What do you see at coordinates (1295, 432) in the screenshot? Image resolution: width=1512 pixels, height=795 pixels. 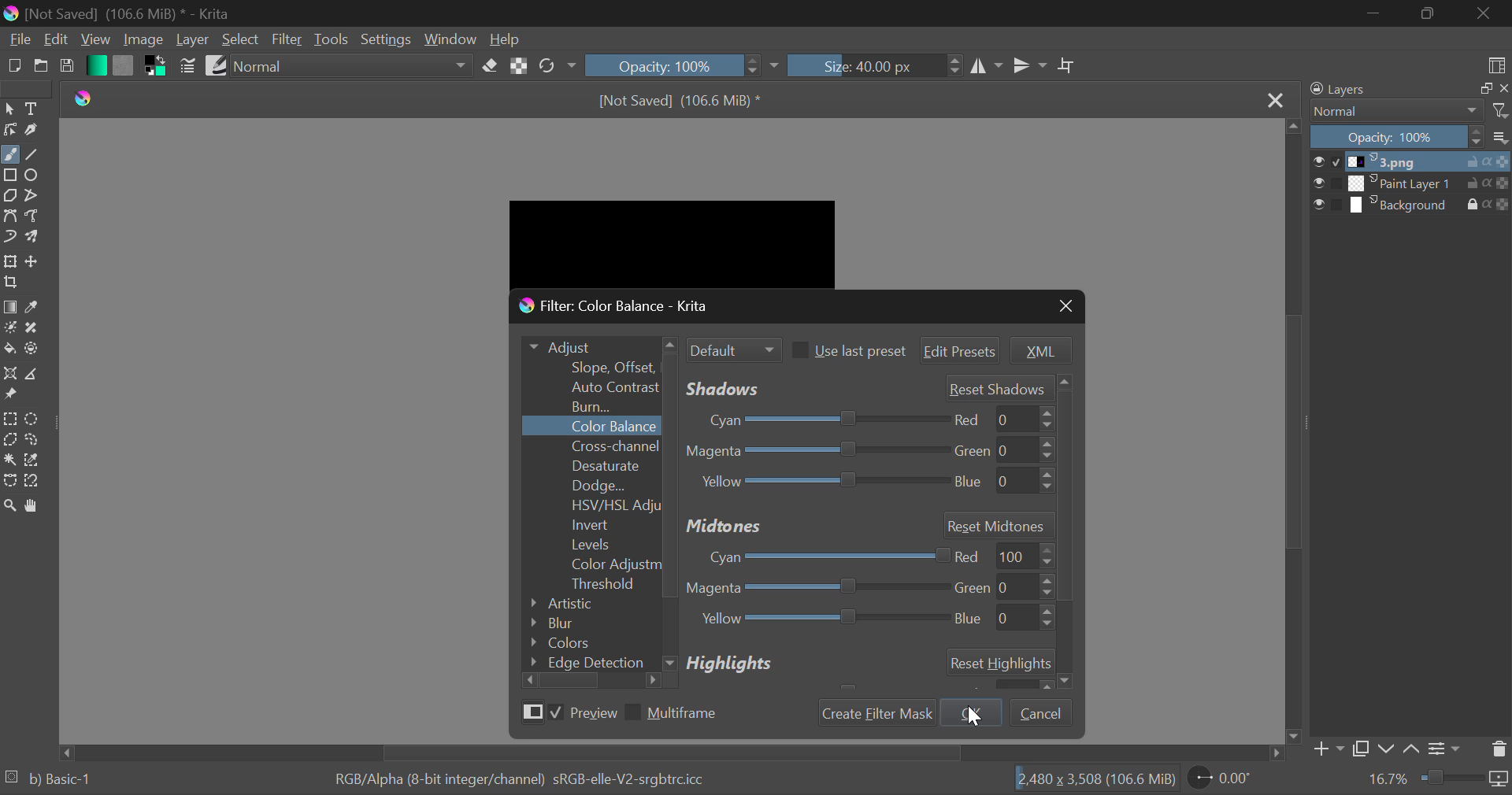 I see `Scroll Bar` at bounding box center [1295, 432].